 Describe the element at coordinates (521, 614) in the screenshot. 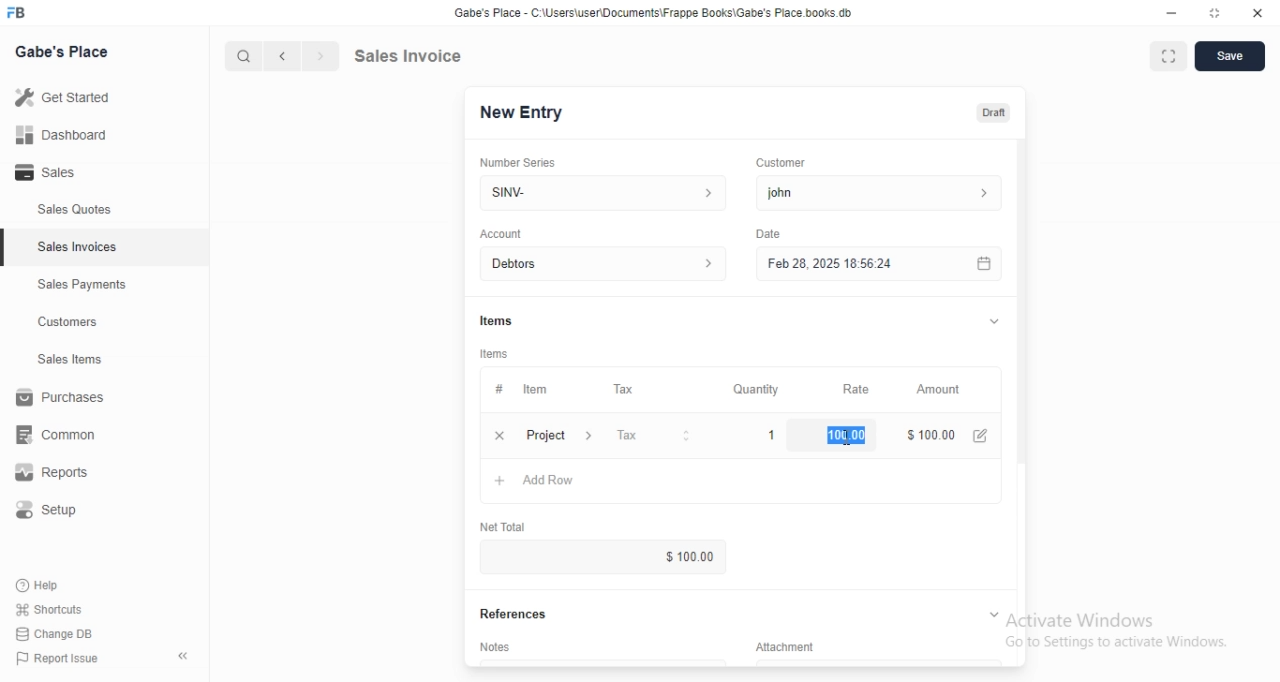

I see `References` at that location.